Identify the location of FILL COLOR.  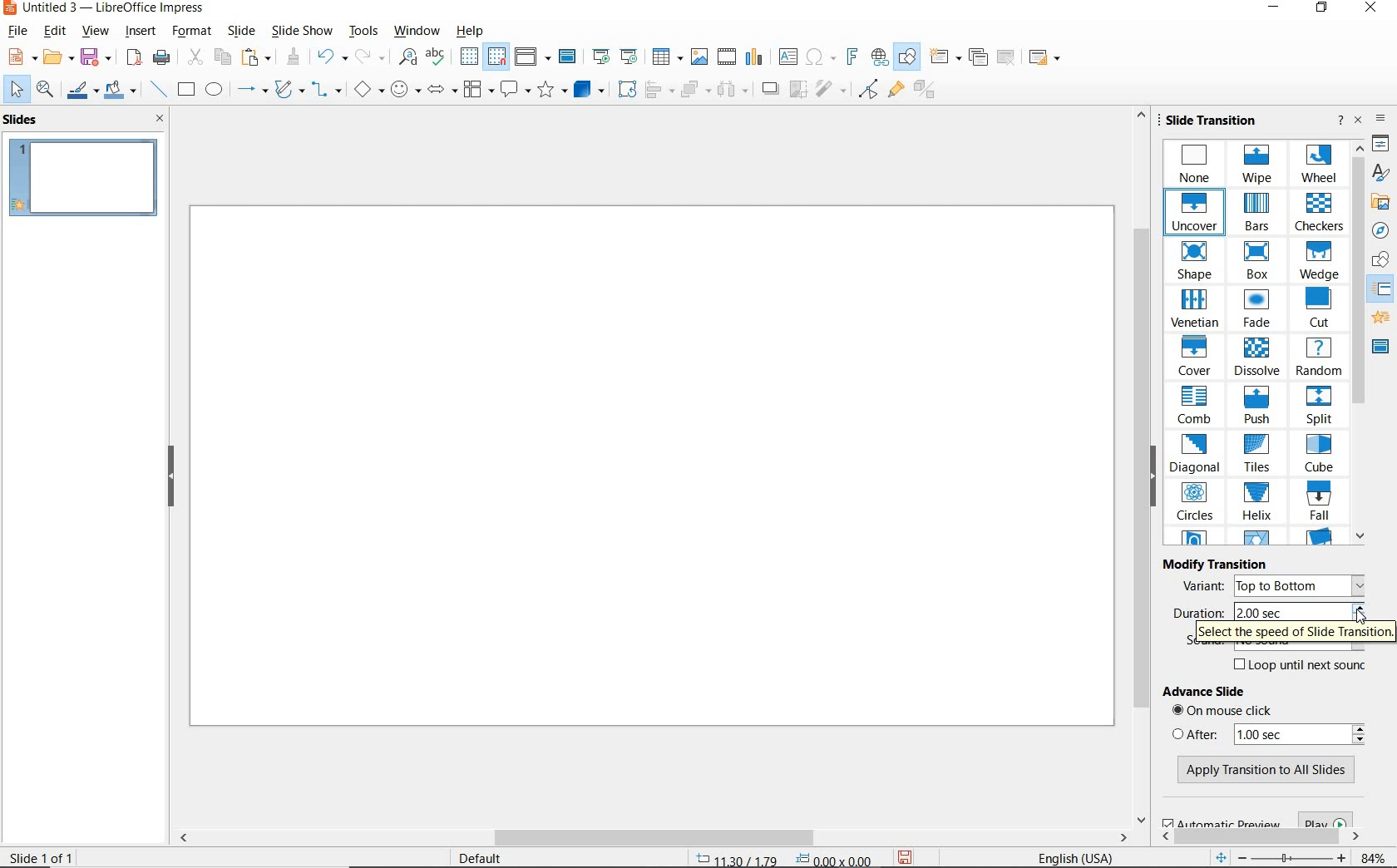
(123, 89).